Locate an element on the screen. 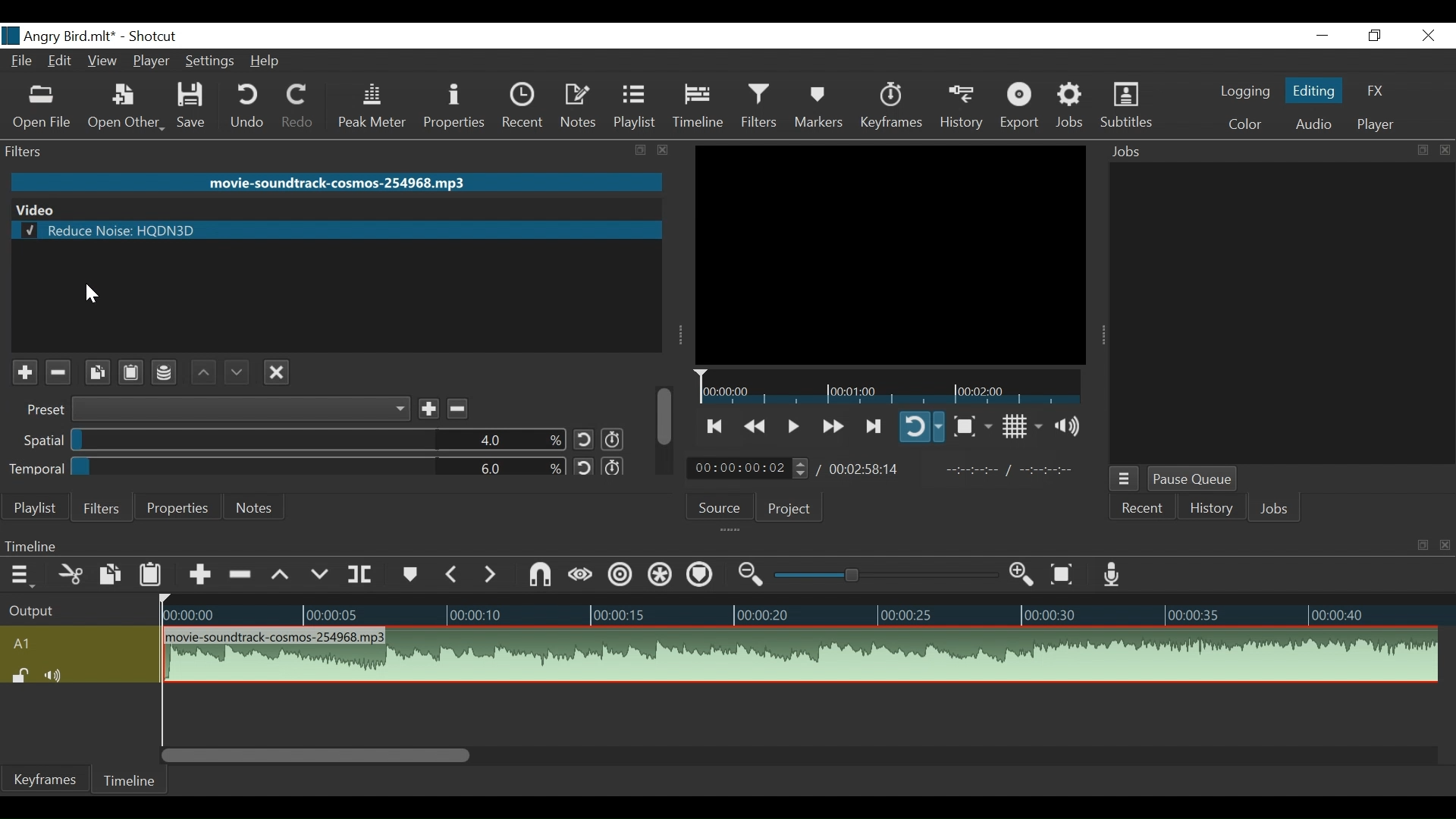 The height and width of the screenshot is (819, 1456). Peak Meter is located at coordinates (372, 106).